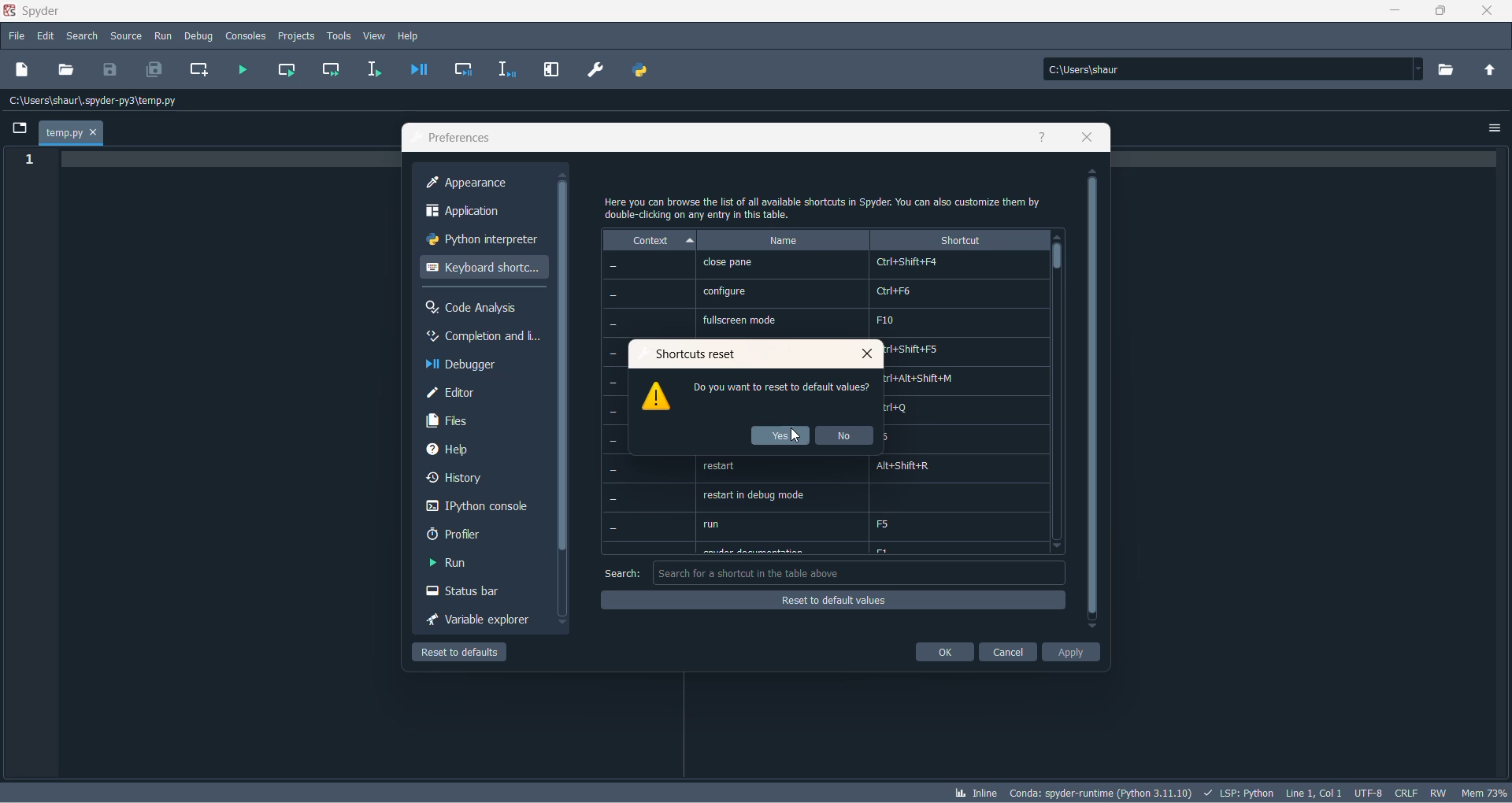 The image size is (1512, 803). Describe the element at coordinates (1484, 15) in the screenshot. I see `close` at that location.